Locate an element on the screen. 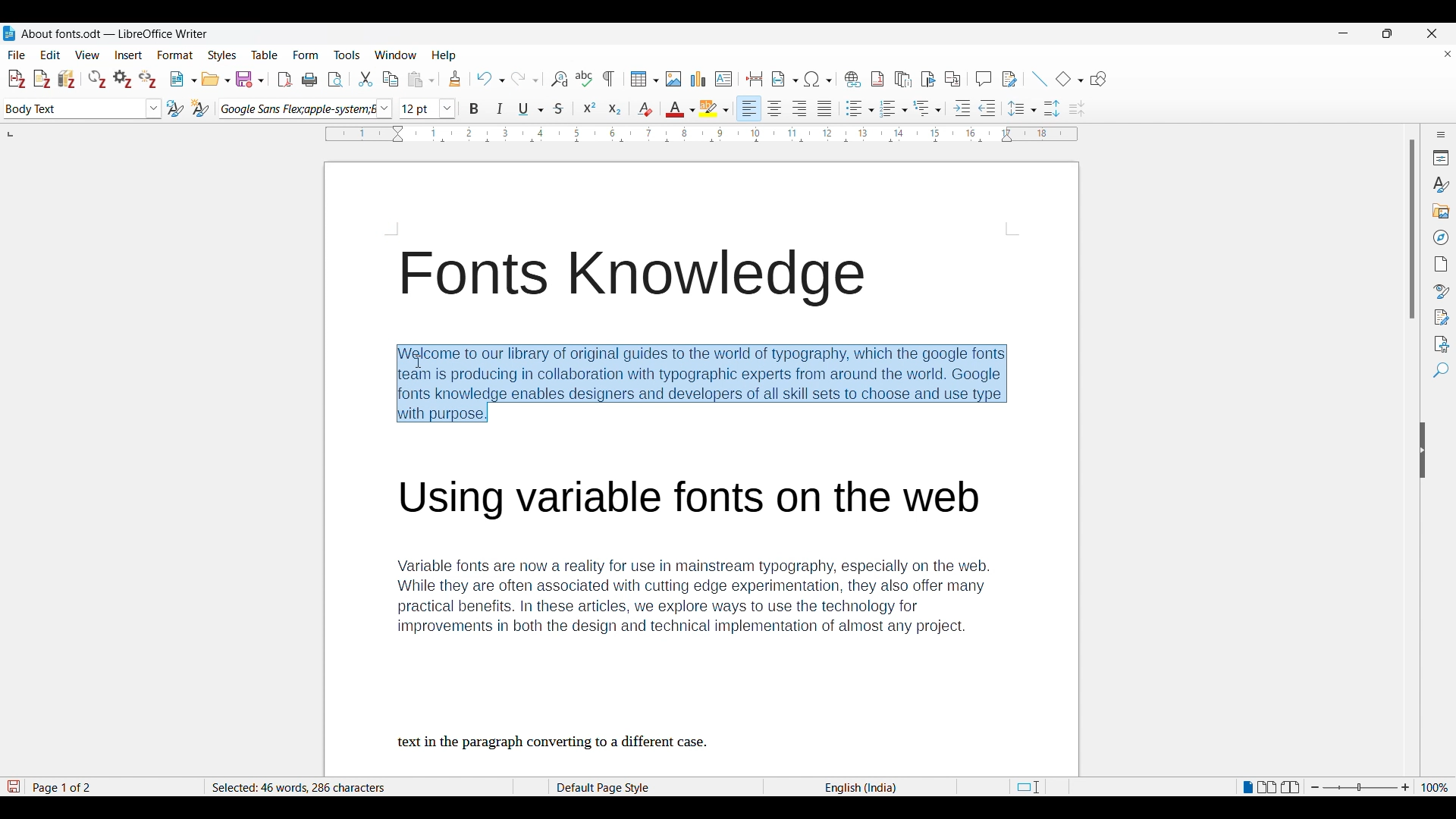  Export directly as PDF is located at coordinates (285, 80).